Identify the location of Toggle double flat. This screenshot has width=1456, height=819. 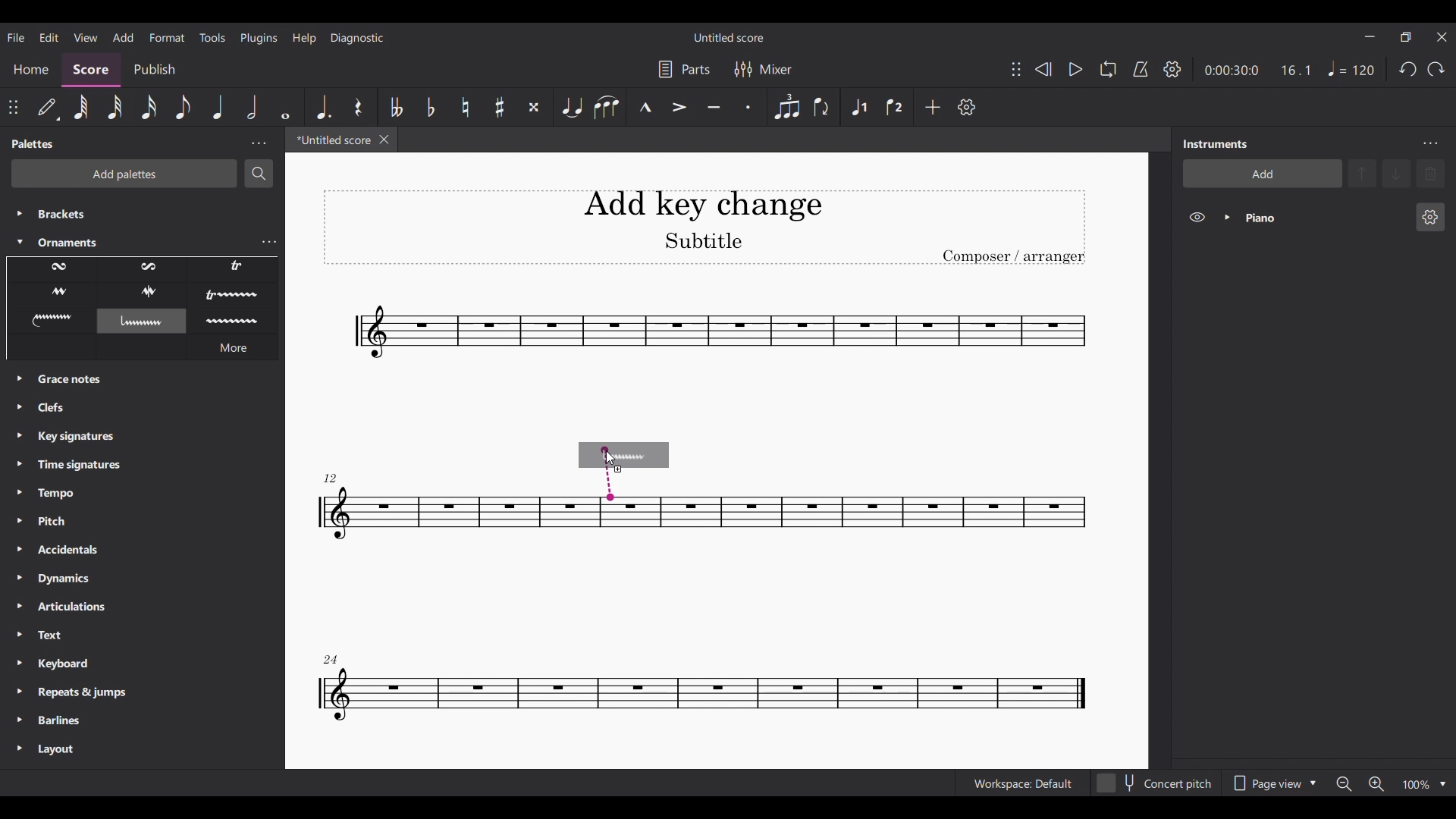
(396, 107).